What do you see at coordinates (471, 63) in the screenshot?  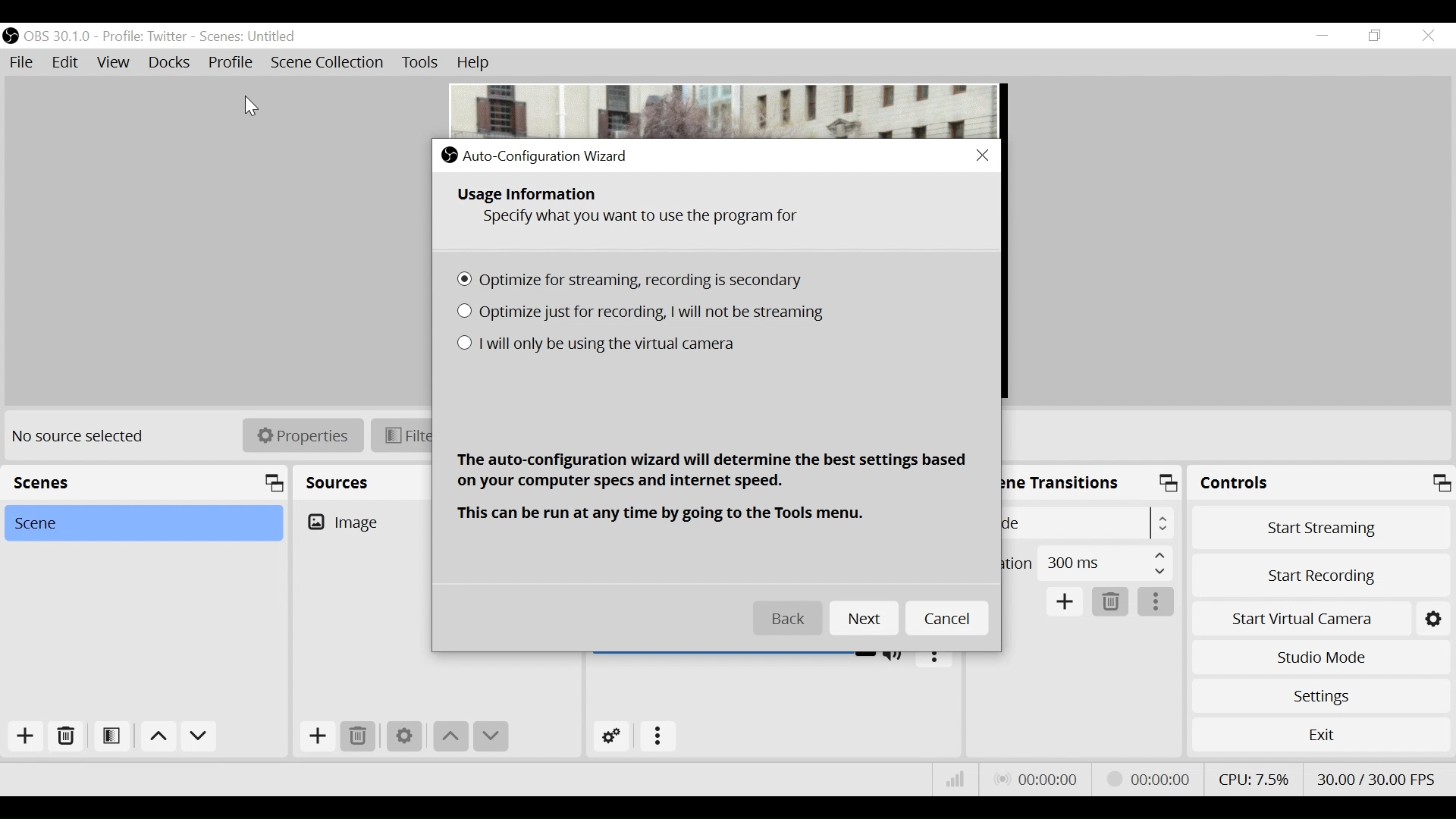 I see `Help` at bounding box center [471, 63].